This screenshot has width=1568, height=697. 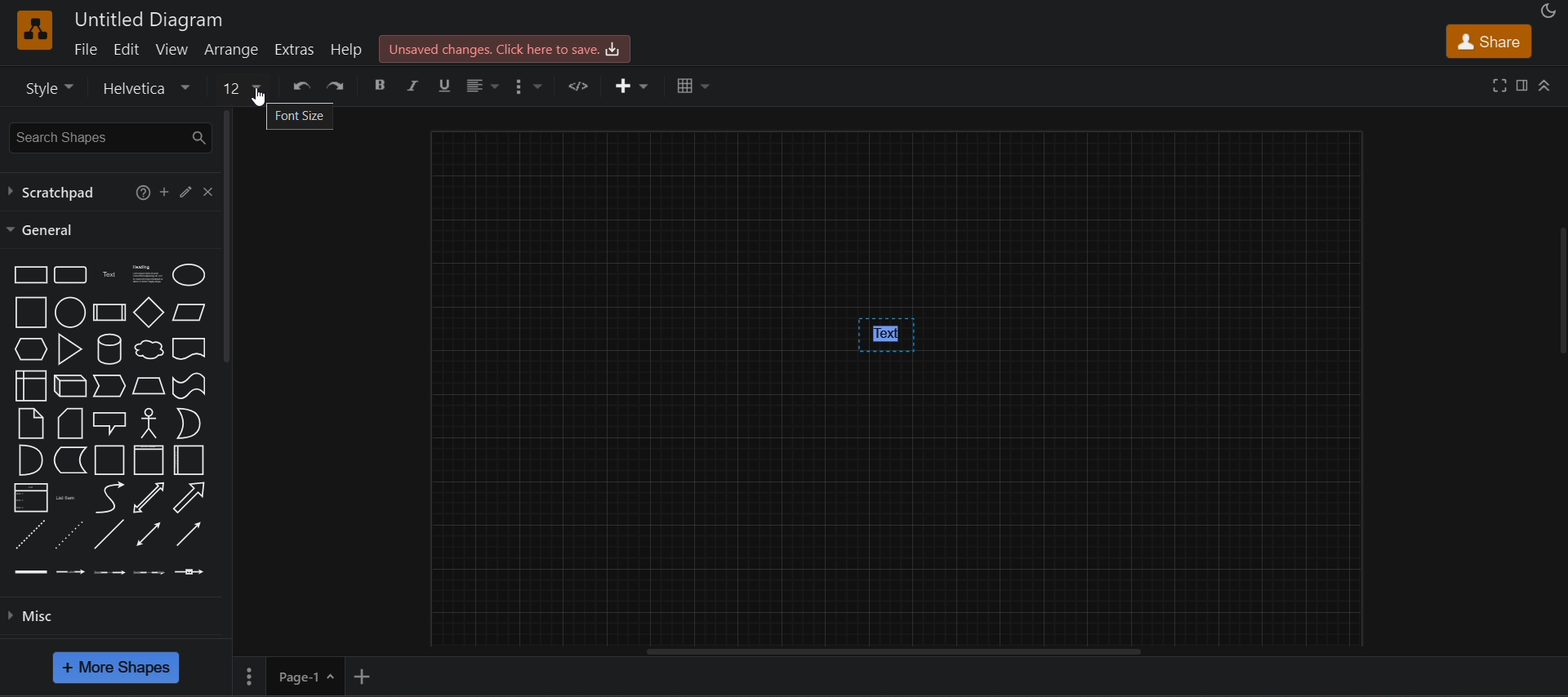 I want to click on Parallelogram, so click(x=189, y=313).